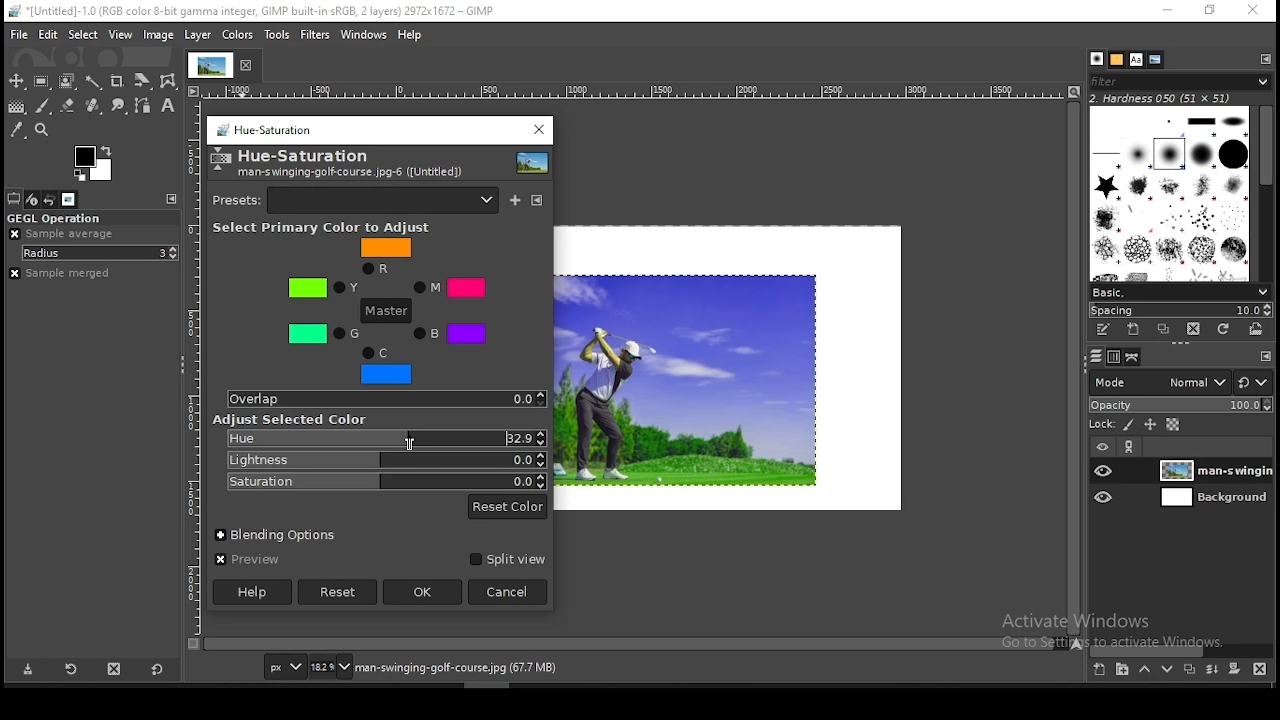  I want to click on eraser tool, so click(95, 107).